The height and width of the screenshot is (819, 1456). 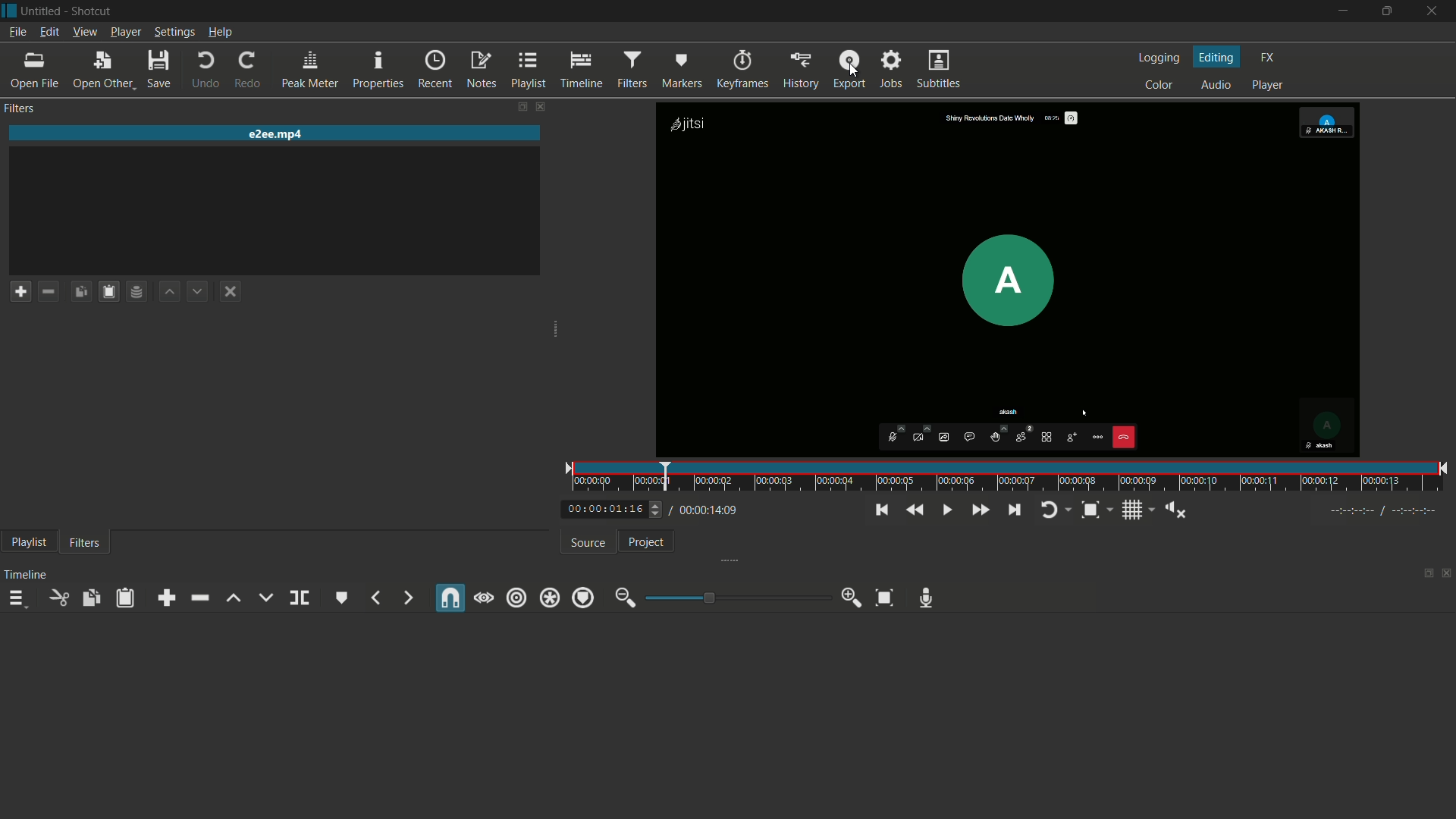 What do you see at coordinates (265, 598) in the screenshot?
I see `overwrite` at bounding box center [265, 598].